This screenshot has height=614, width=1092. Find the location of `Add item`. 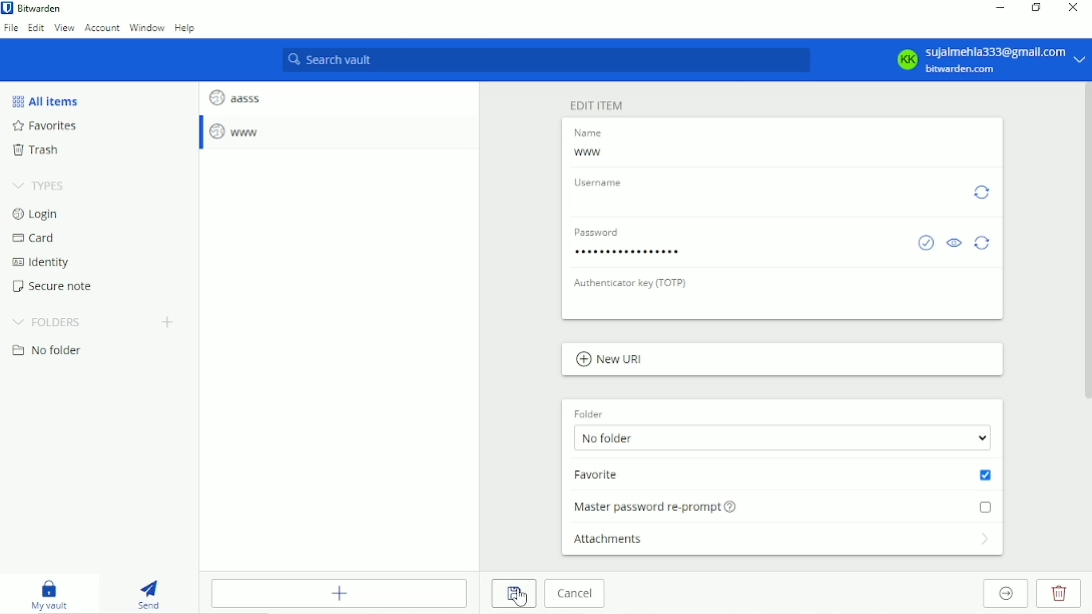

Add item is located at coordinates (343, 593).